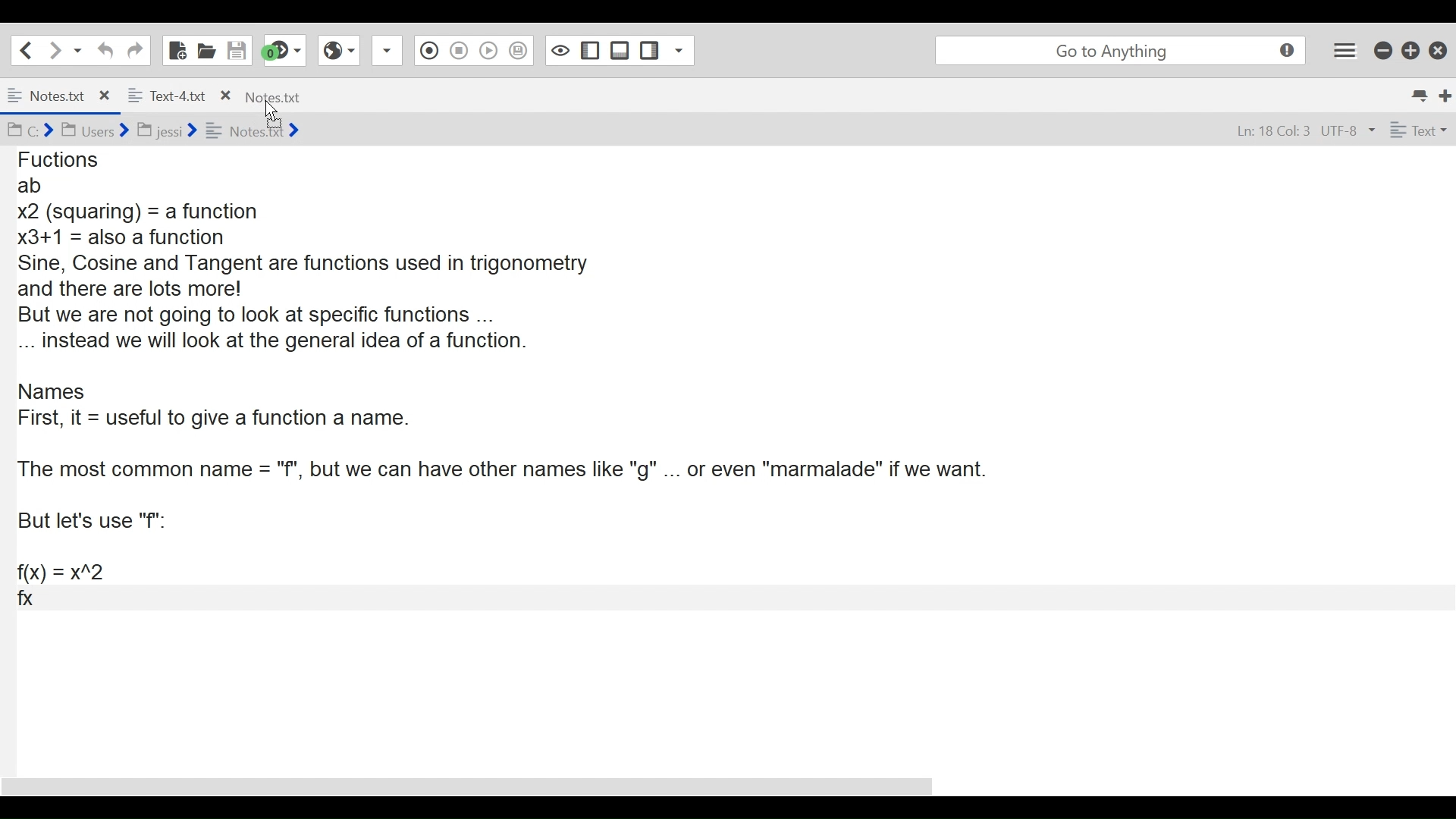 The width and height of the screenshot is (1456, 819). I want to click on New Tab, so click(1445, 93).